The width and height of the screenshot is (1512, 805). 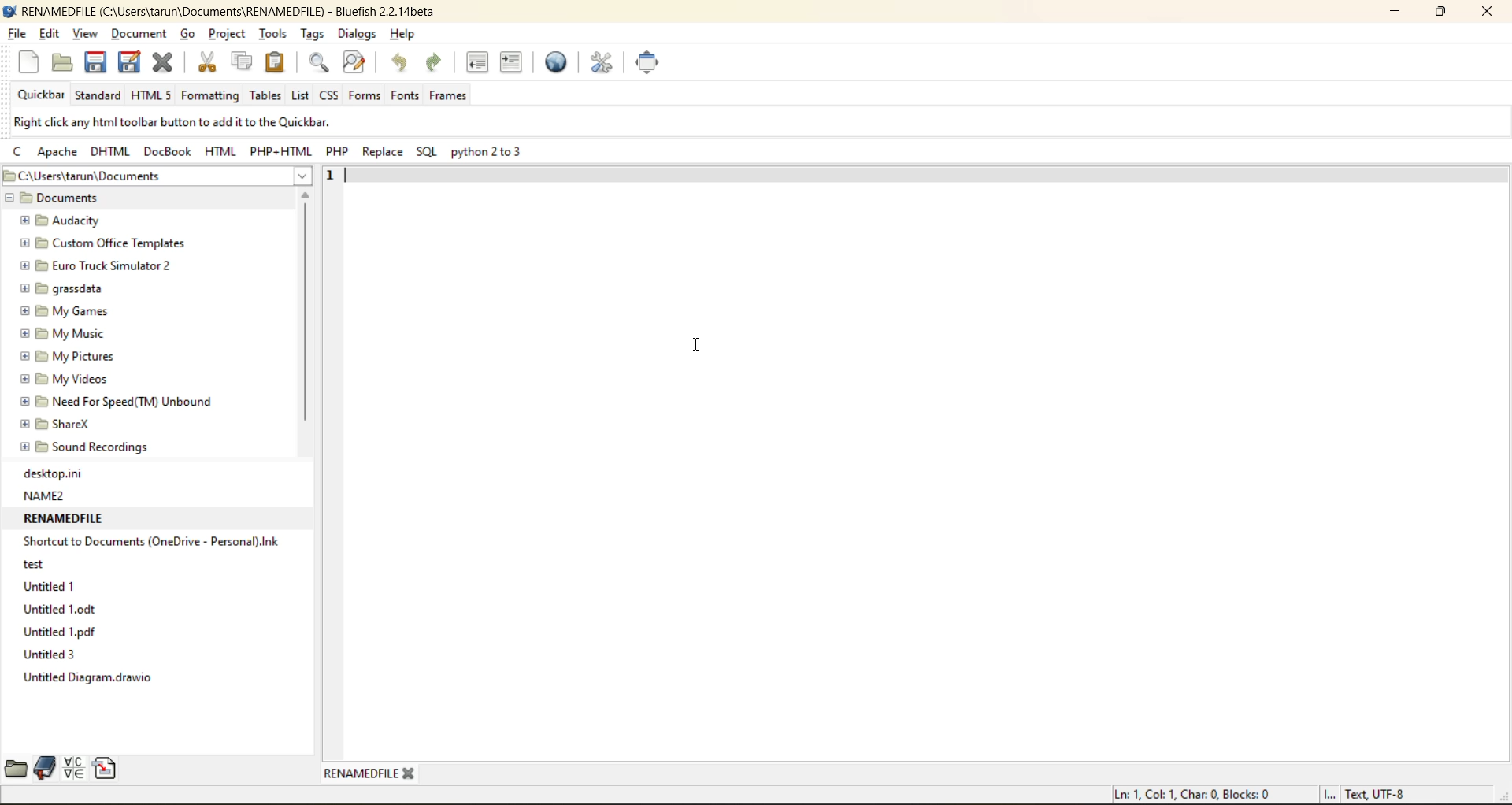 I want to click on RENAMEDFILE, so click(x=67, y=518).